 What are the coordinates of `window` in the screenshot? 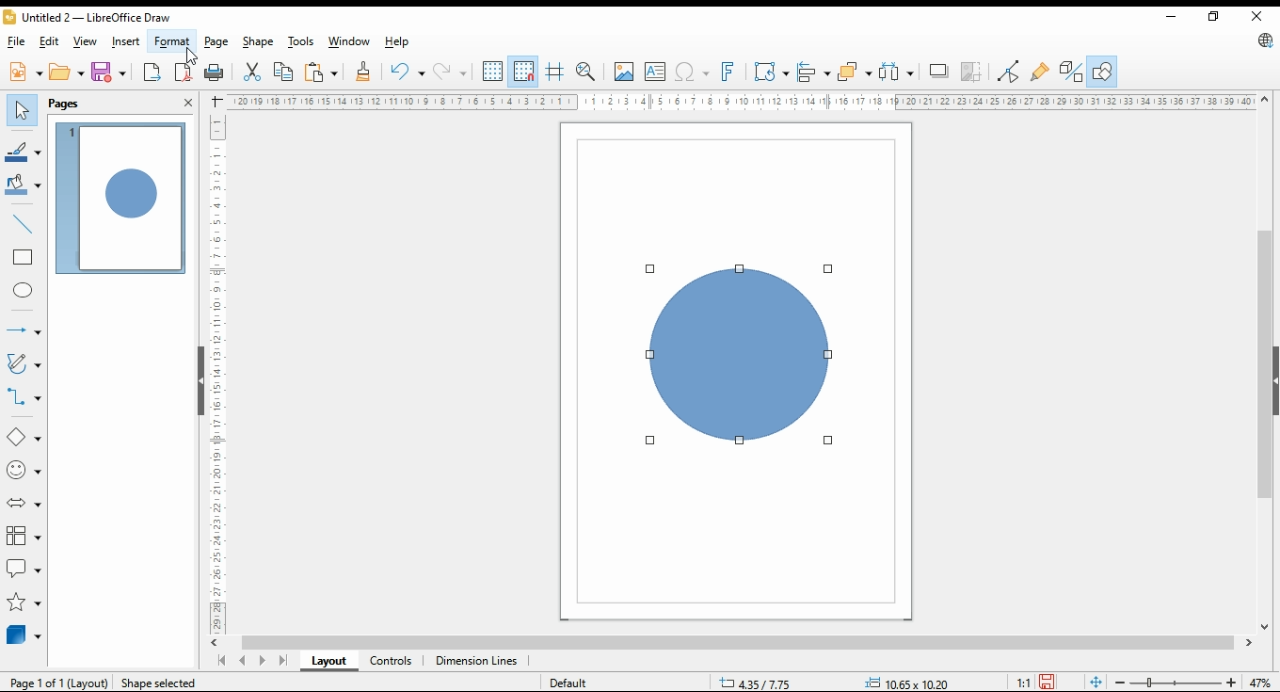 It's located at (349, 41).